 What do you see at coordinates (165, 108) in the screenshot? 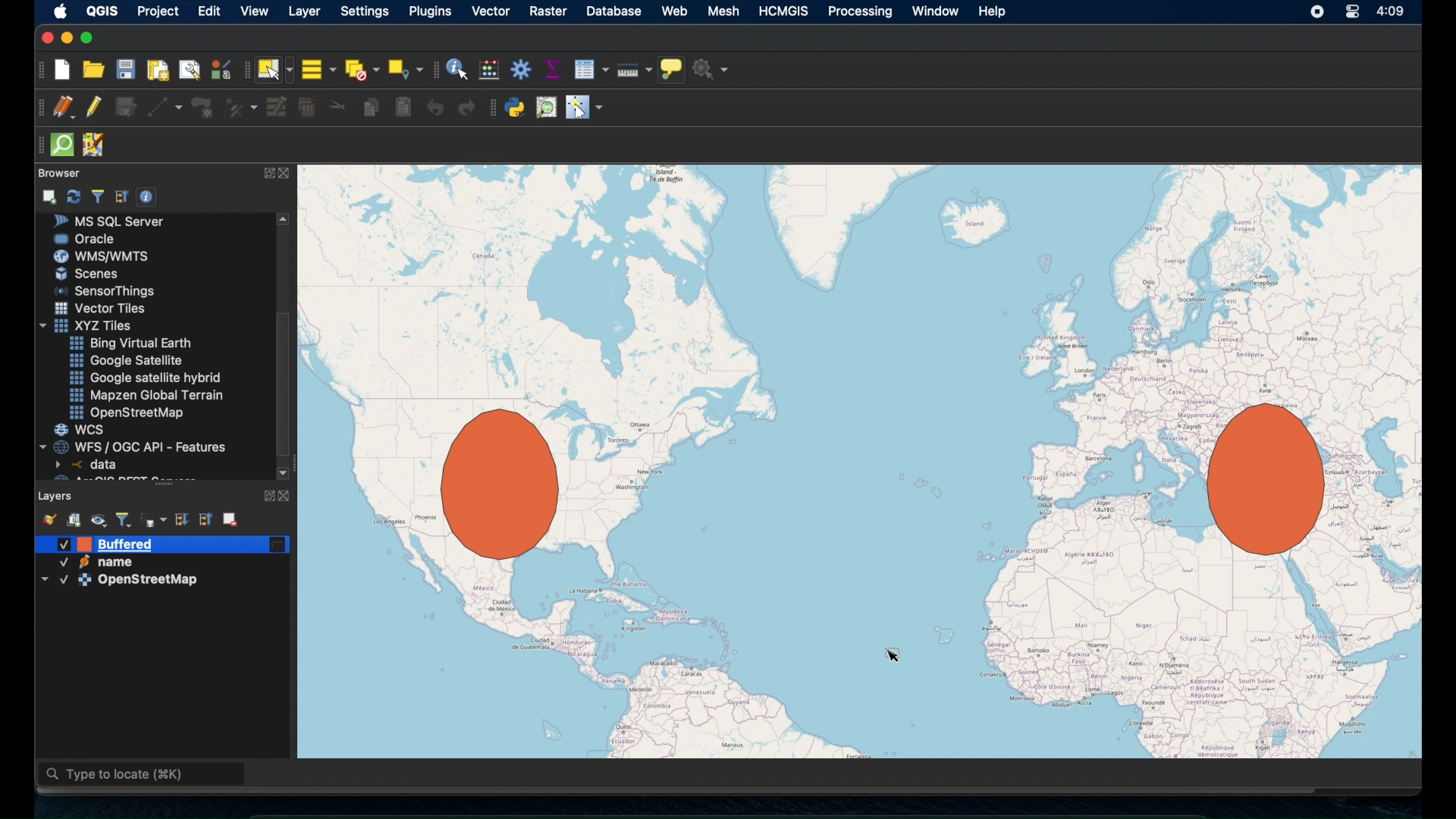
I see `digitize with segment` at bounding box center [165, 108].